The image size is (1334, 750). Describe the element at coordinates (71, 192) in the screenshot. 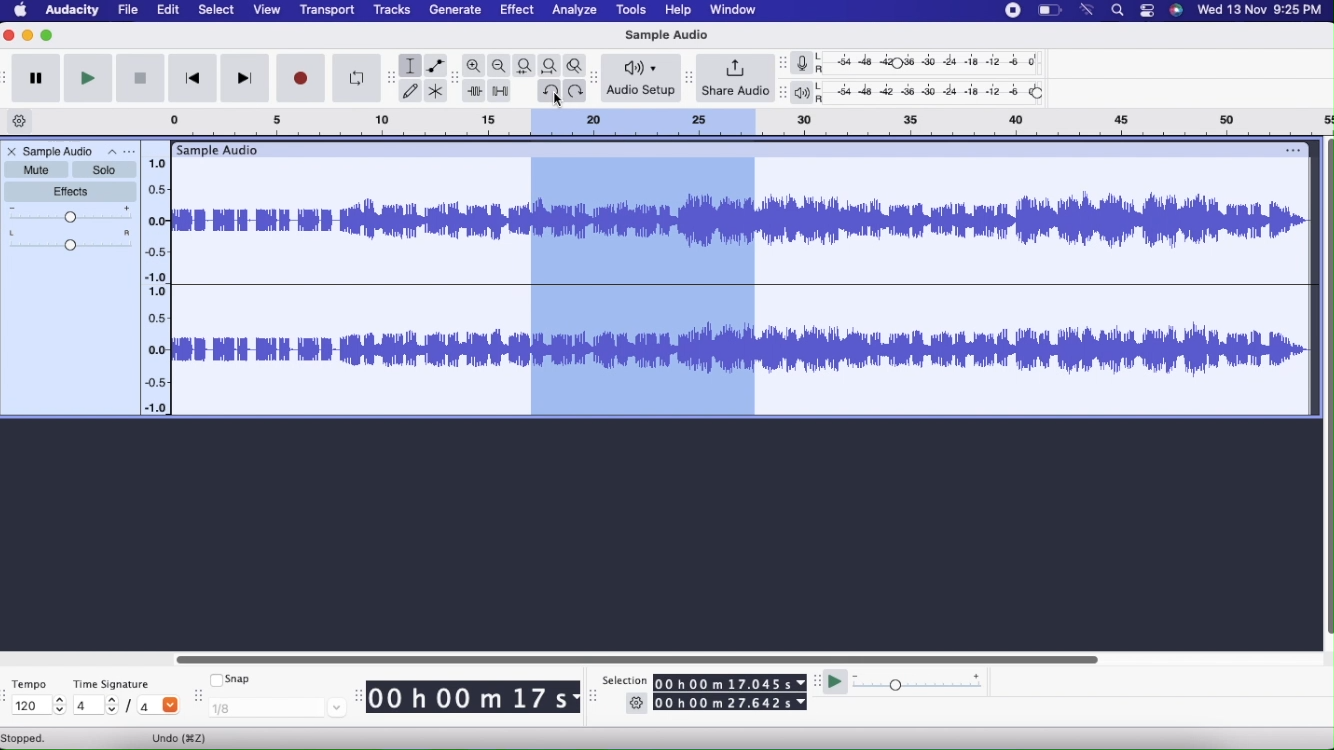

I see `Effects` at that location.